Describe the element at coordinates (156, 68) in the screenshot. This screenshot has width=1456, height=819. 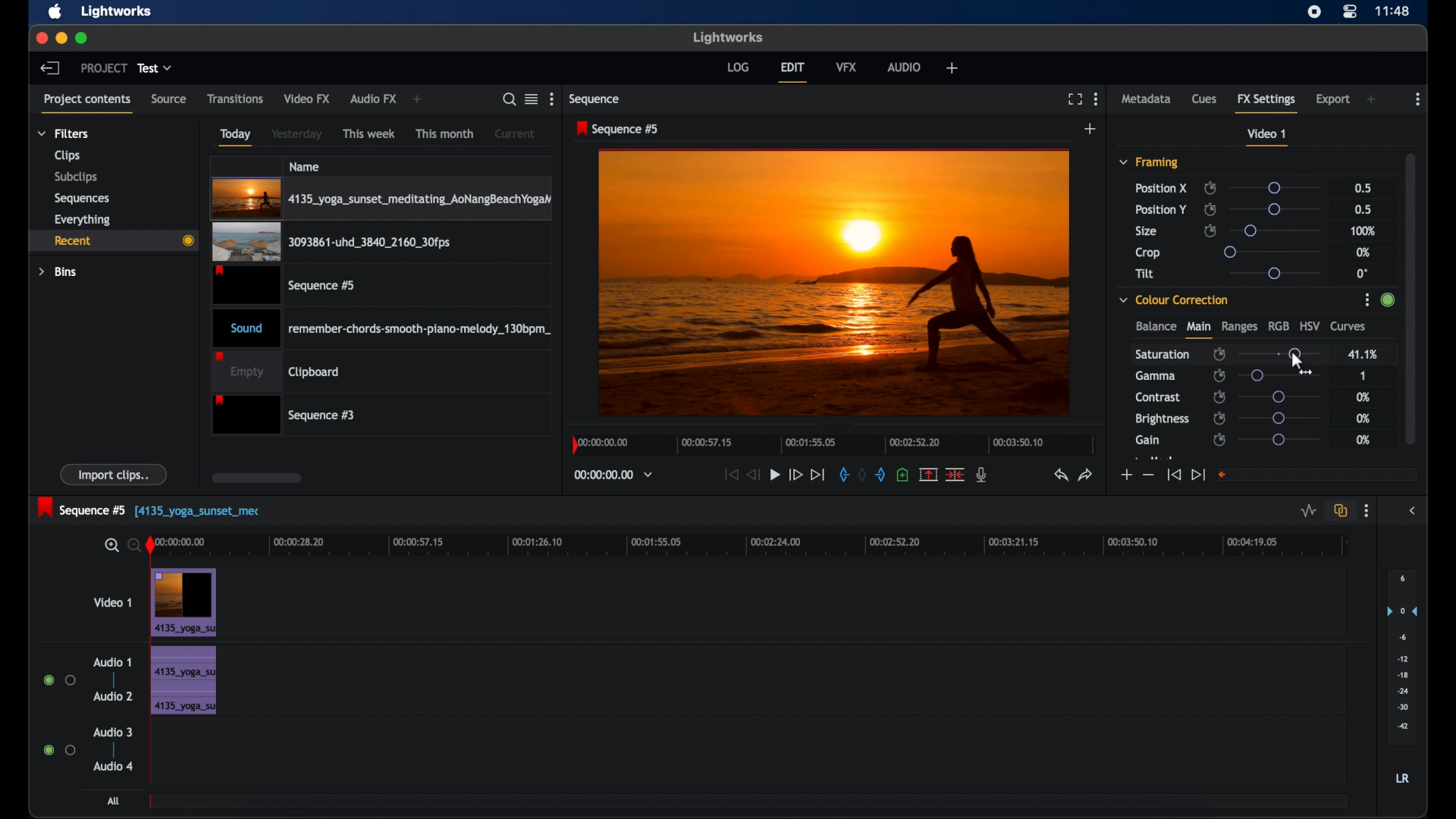
I see `test` at that location.